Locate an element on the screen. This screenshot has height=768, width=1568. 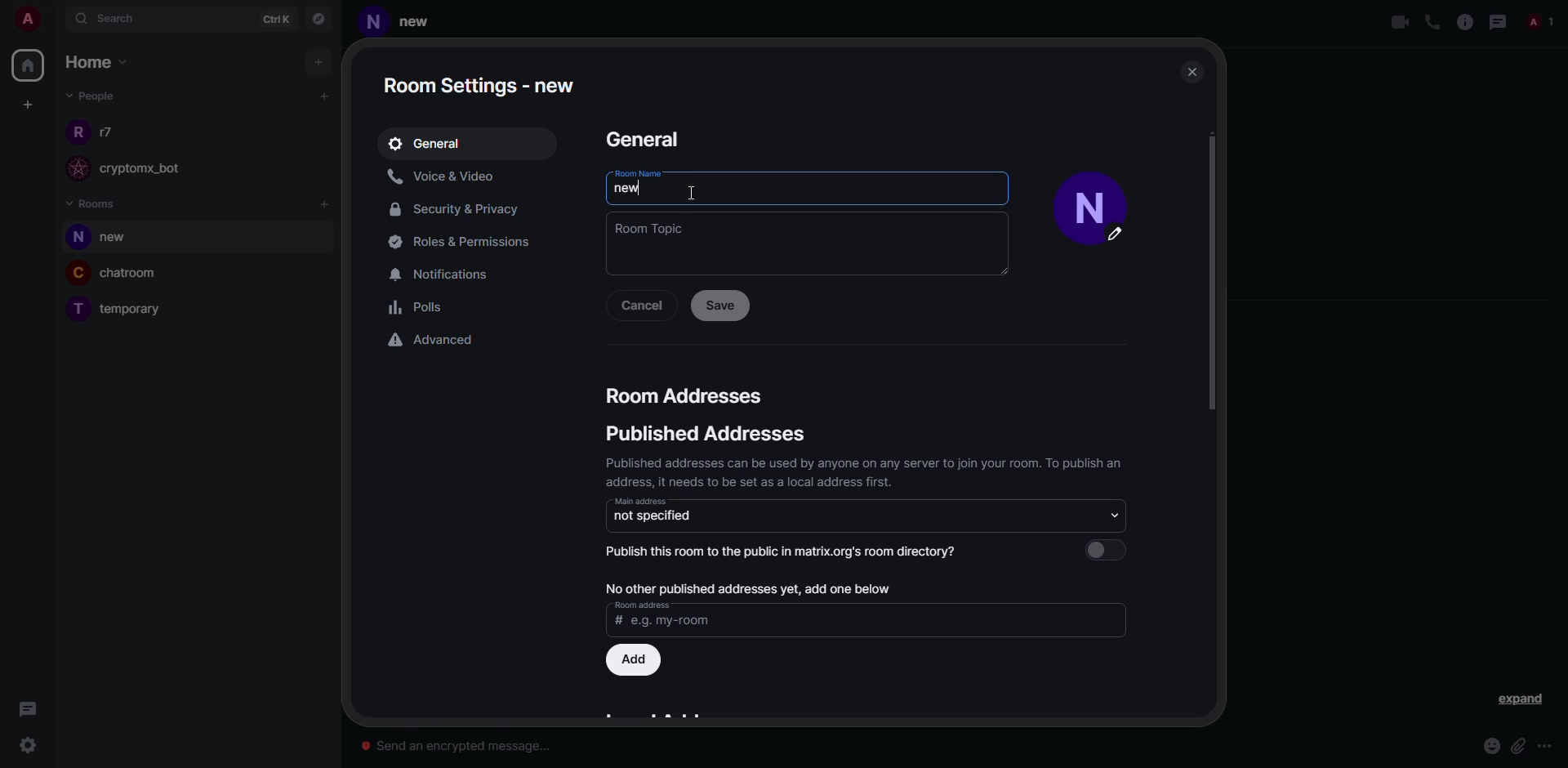
video call is located at coordinates (1398, 22).